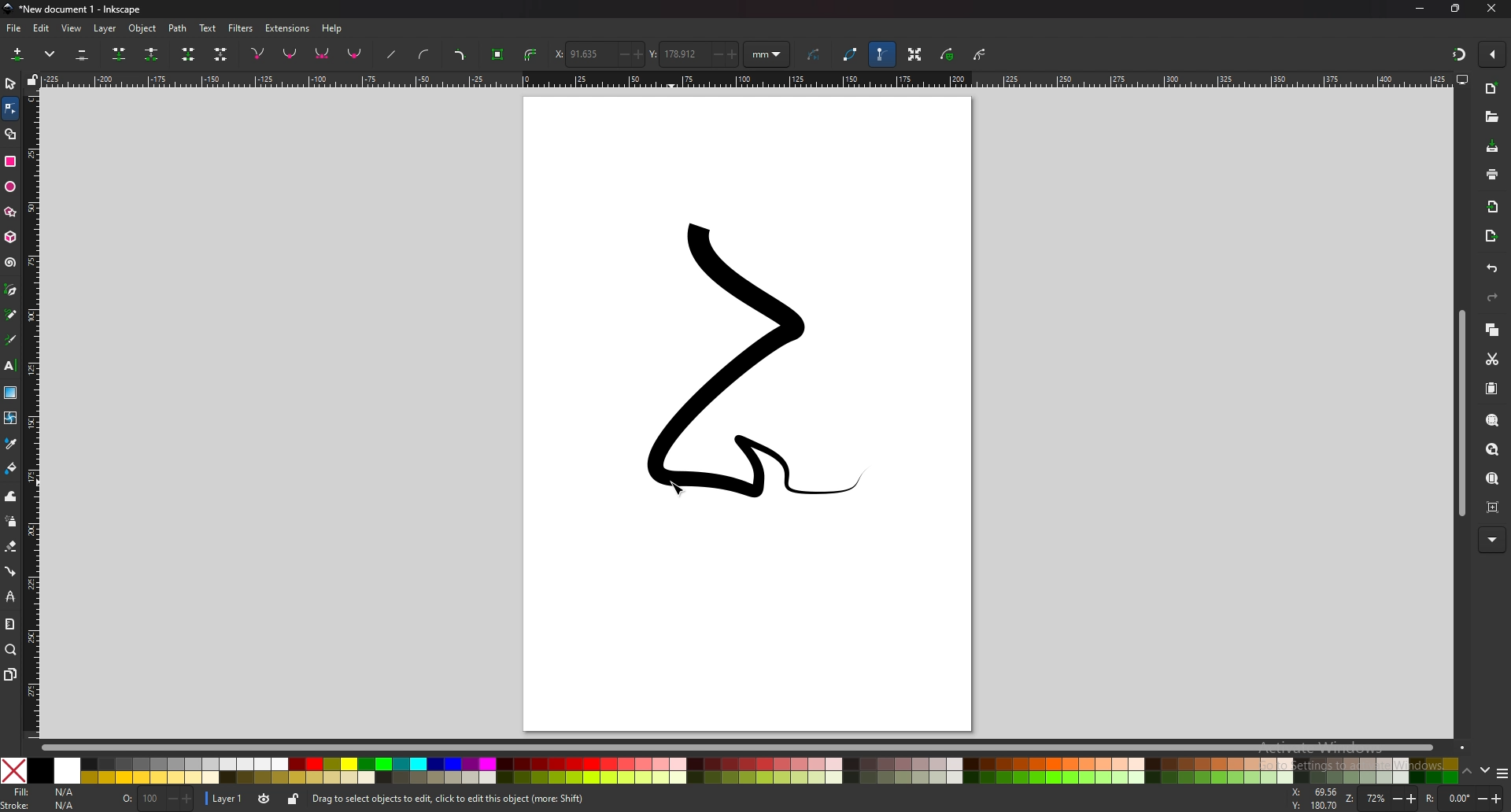 Image resolution: width=1511 pixels, height=812 pixels. I want to click on scroll bar, so click(747, 747).